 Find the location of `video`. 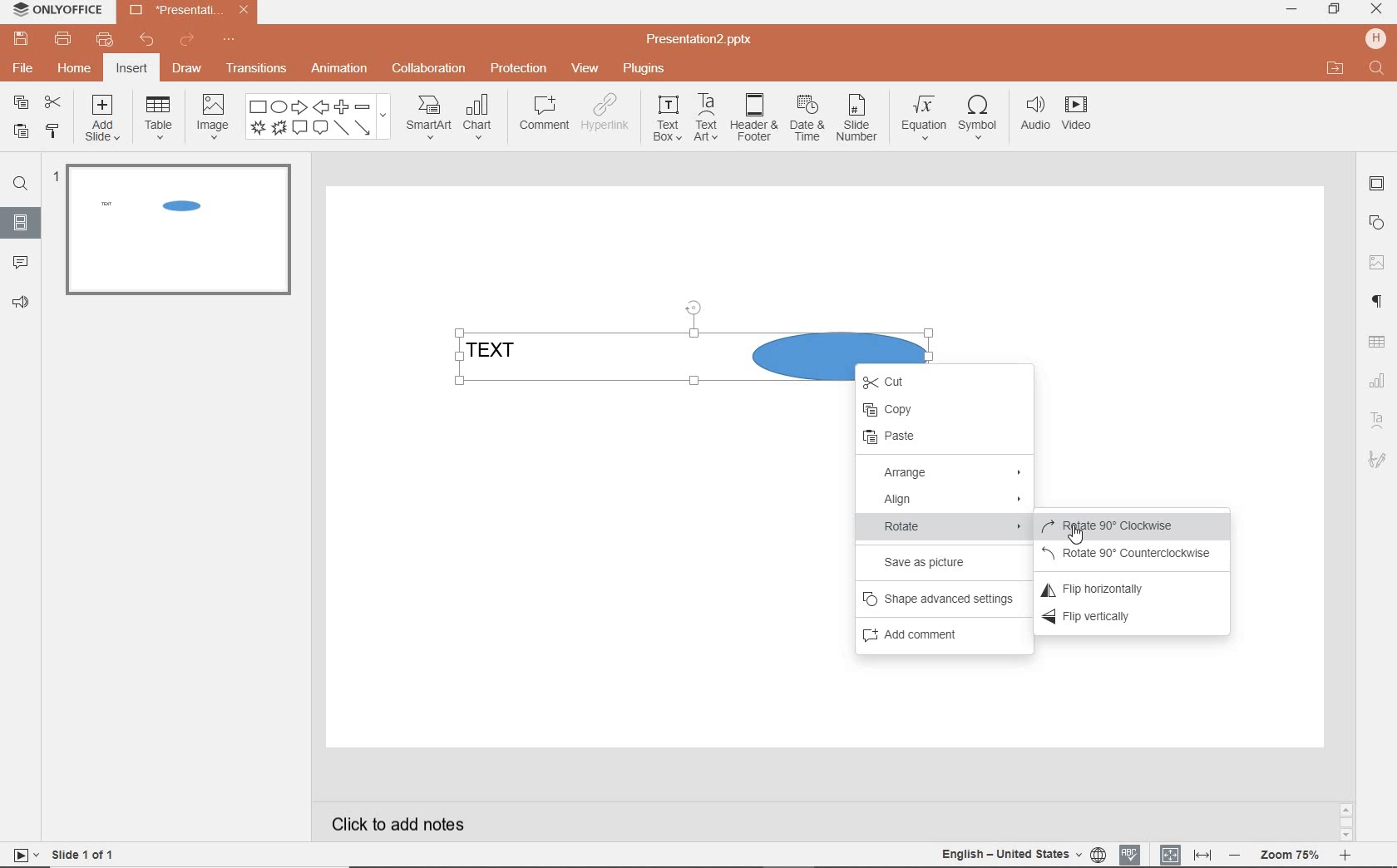

video is located at coordinates (1078, 116).